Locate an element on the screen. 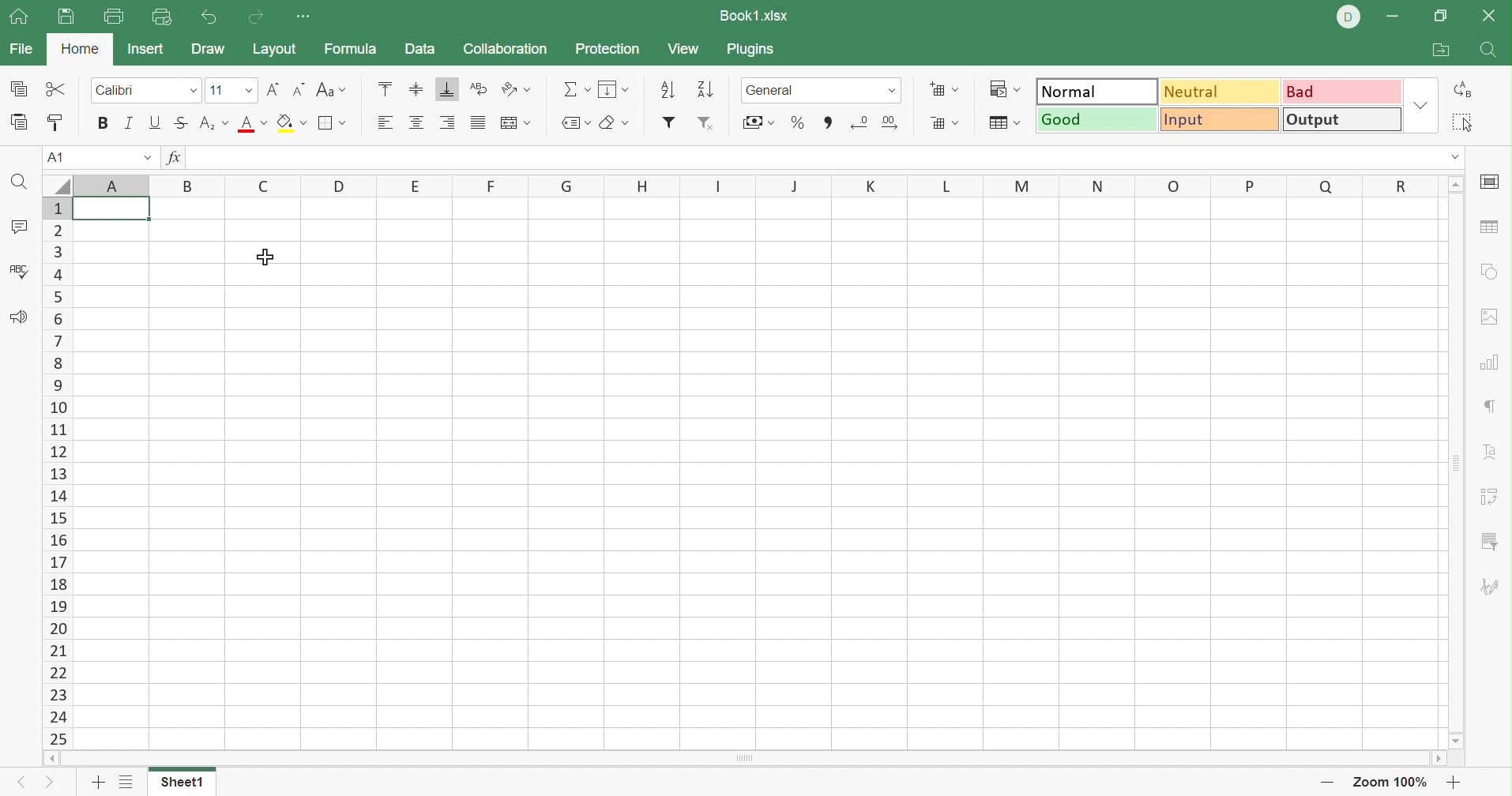 This screenshot has width=1512, height=796. Comma style is located at coordinates (828, 123).